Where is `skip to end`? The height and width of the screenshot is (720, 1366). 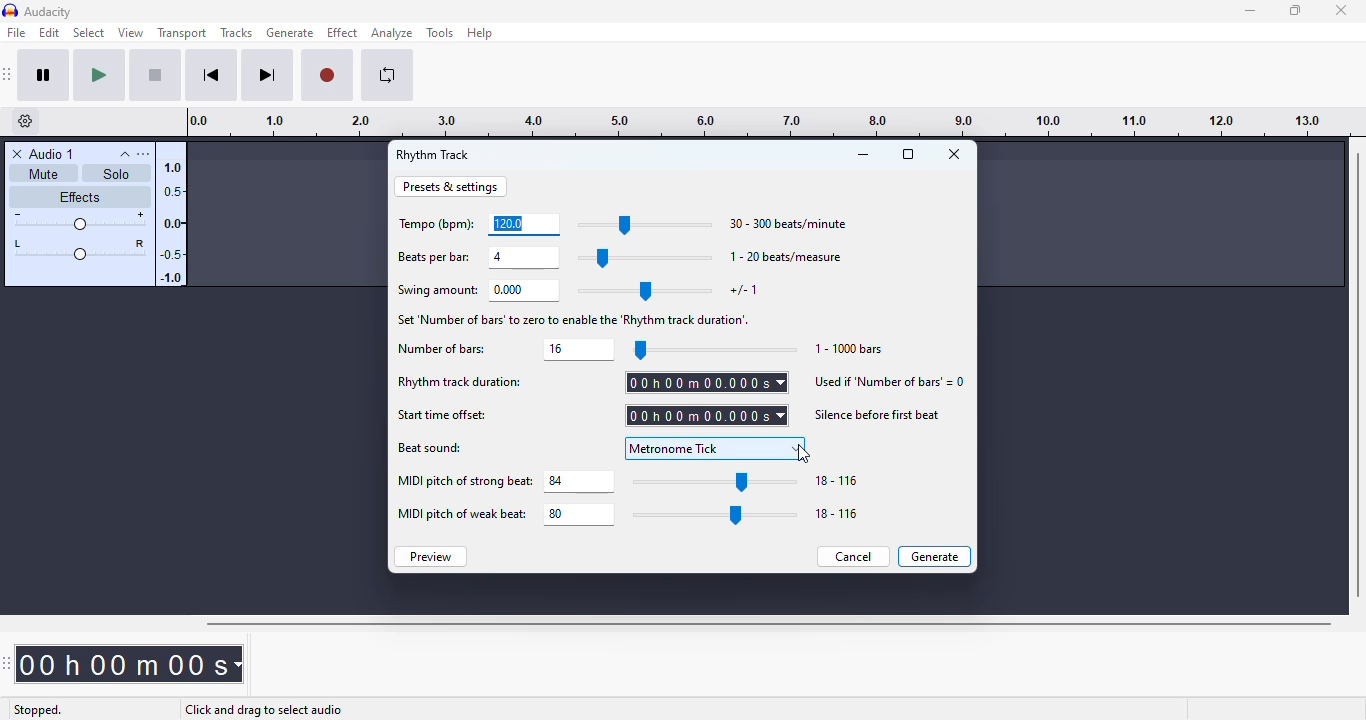
skip to end is located at coordinates (267, 76).